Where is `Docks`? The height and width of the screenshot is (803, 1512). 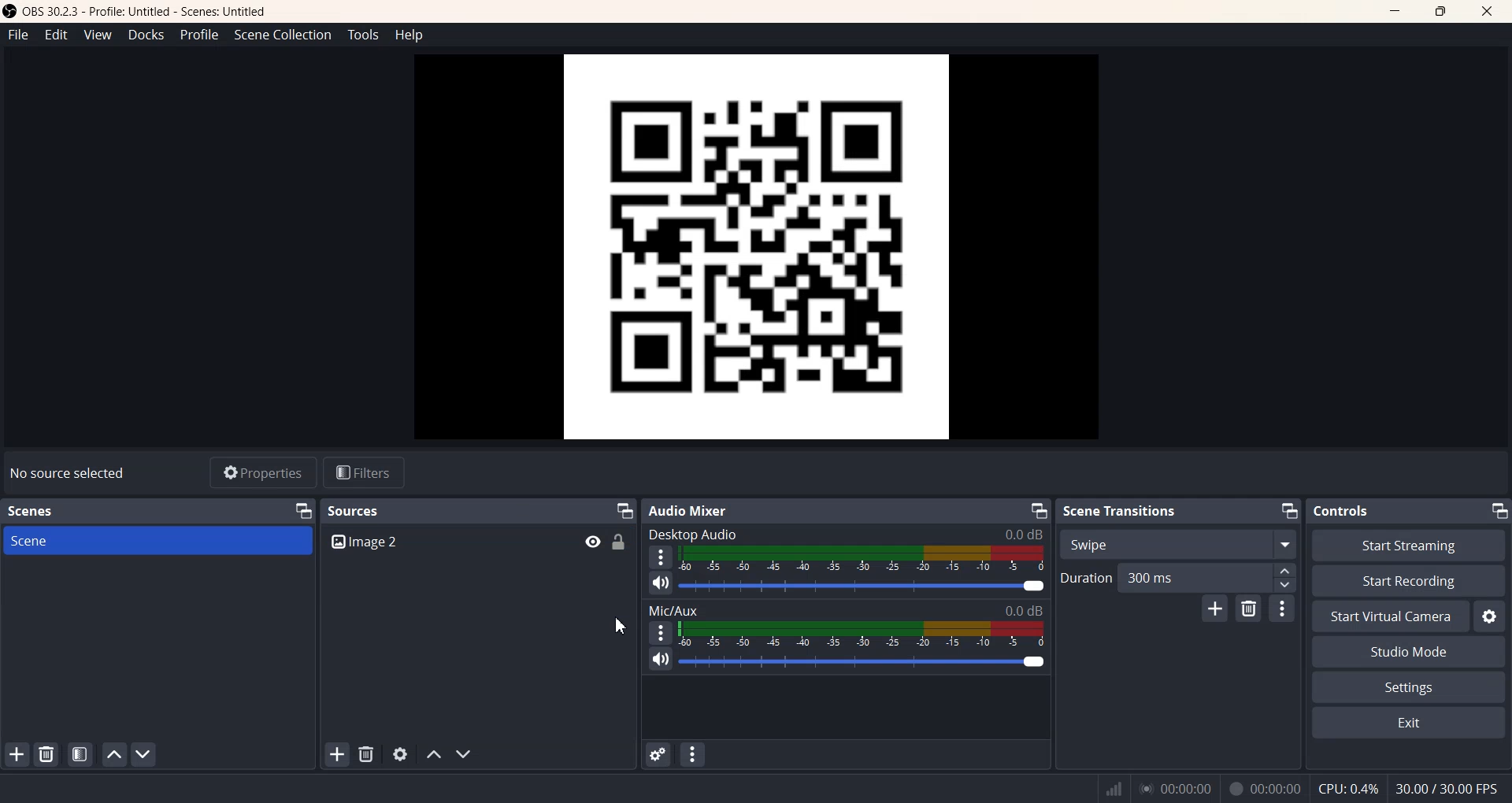
Docks is located at coordinates (146, 34).